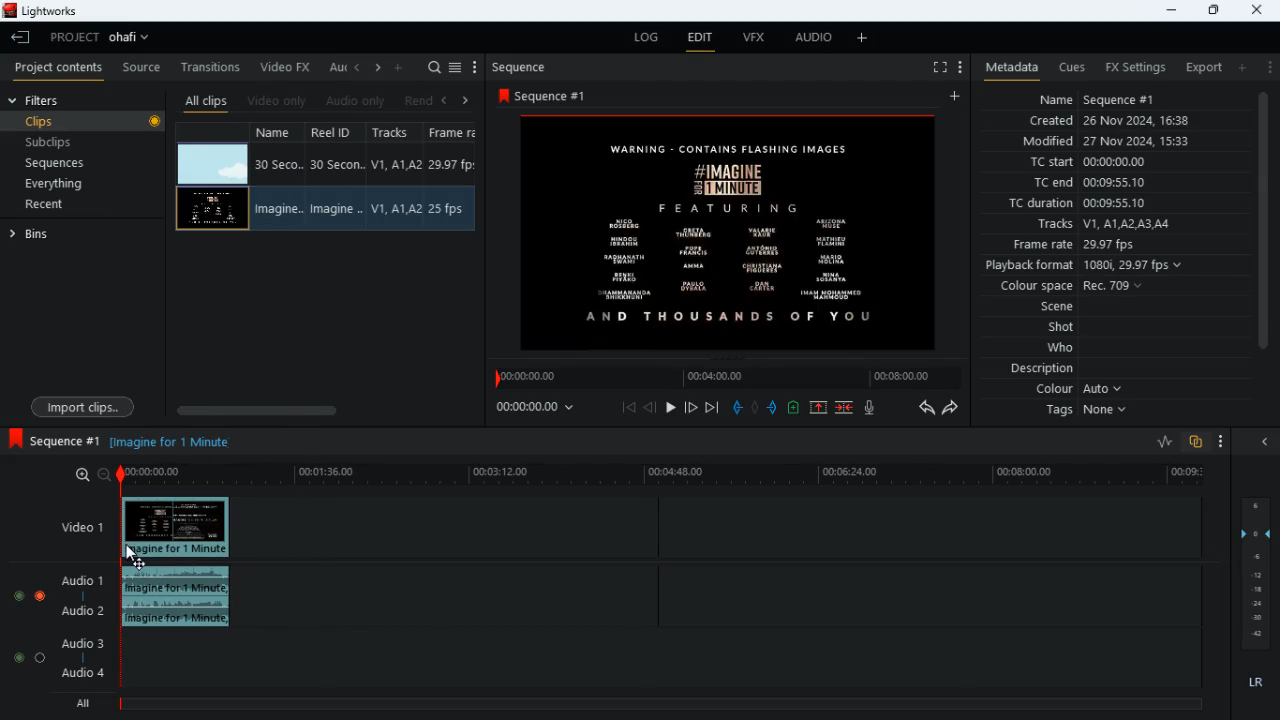  Describe the element at coordinates (710, 407) in the screenshot. I see `end` at that location.